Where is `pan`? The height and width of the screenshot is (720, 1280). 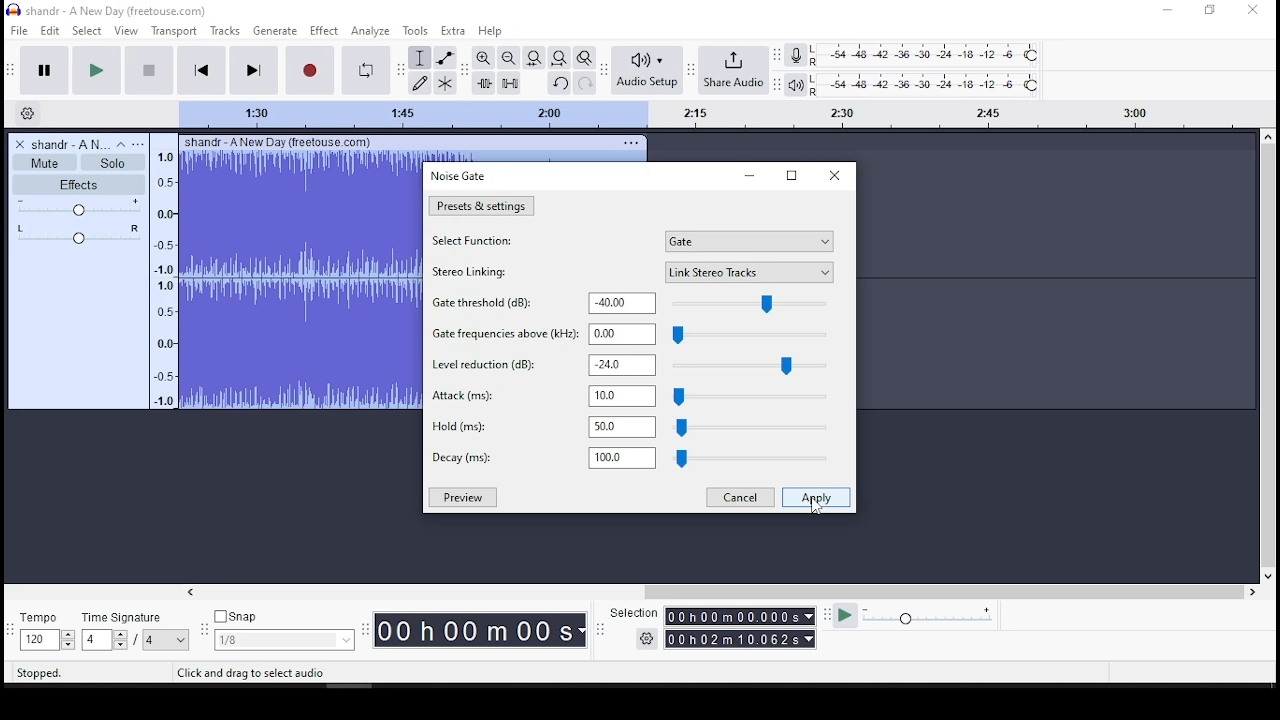 pan is located at coordinates (79, 234).